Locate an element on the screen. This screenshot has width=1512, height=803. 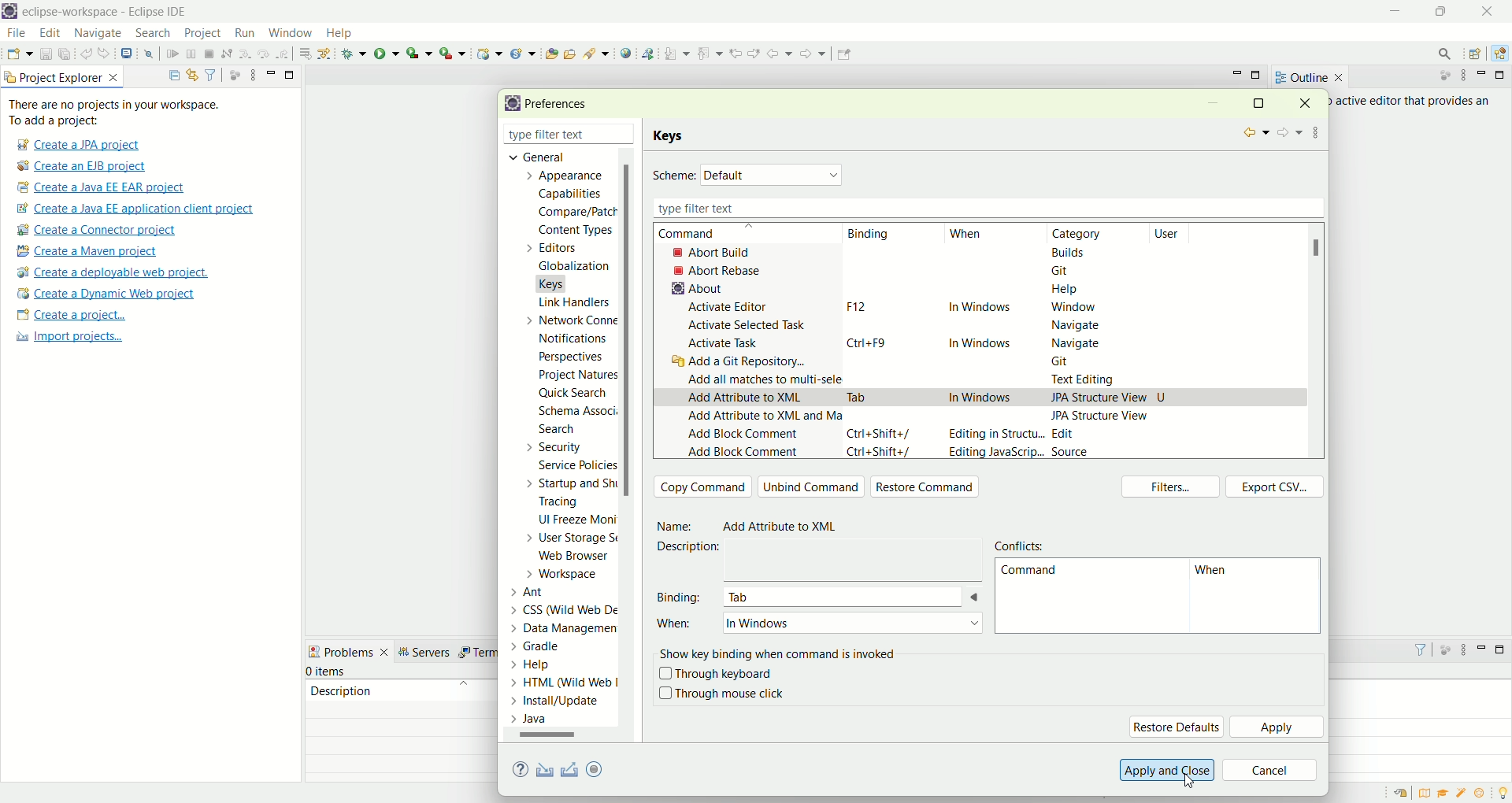
cancel is located at coordinates (1270, 772).